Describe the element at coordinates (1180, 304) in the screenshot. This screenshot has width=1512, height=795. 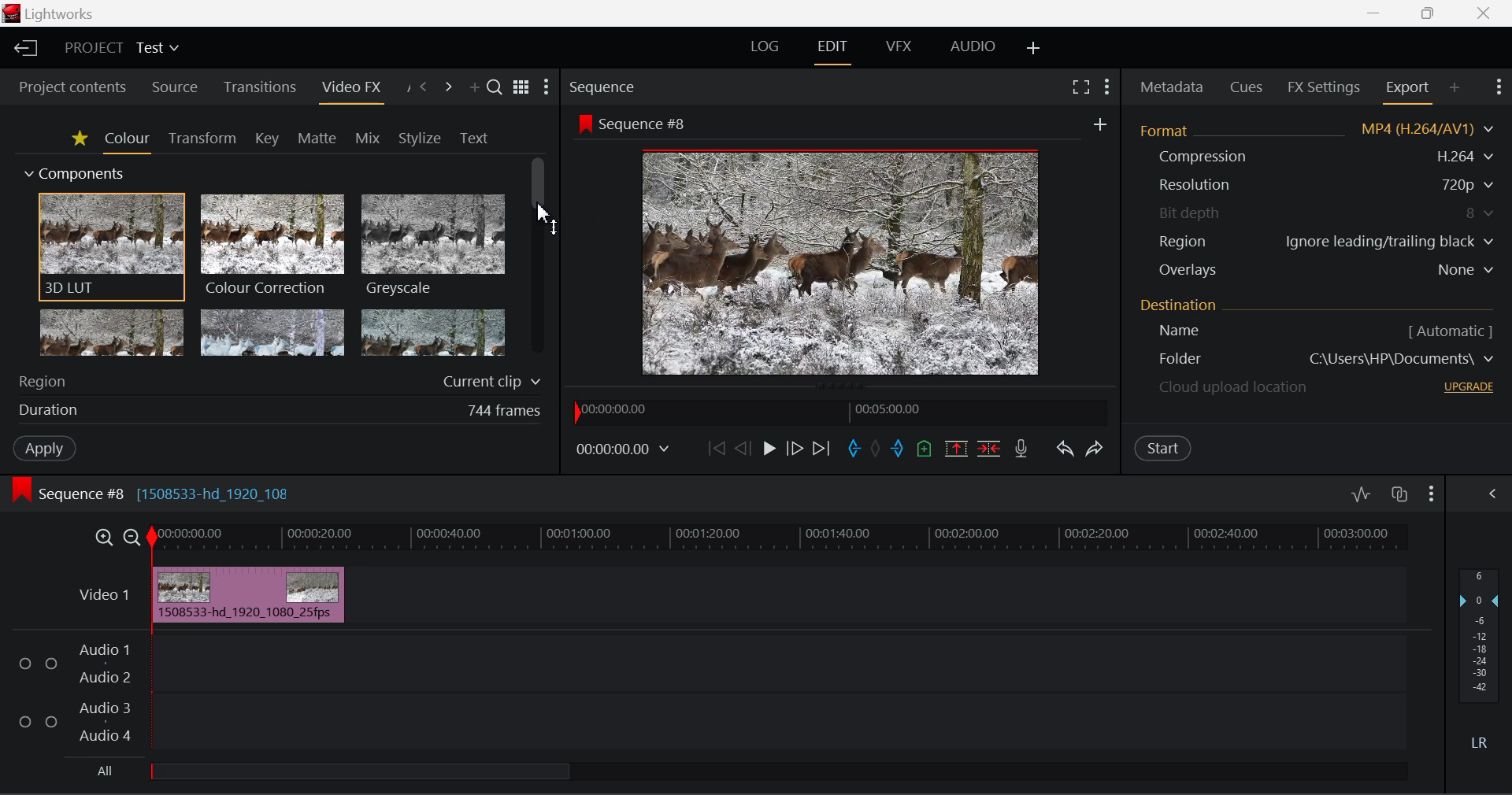
I see `Destination` at that location.